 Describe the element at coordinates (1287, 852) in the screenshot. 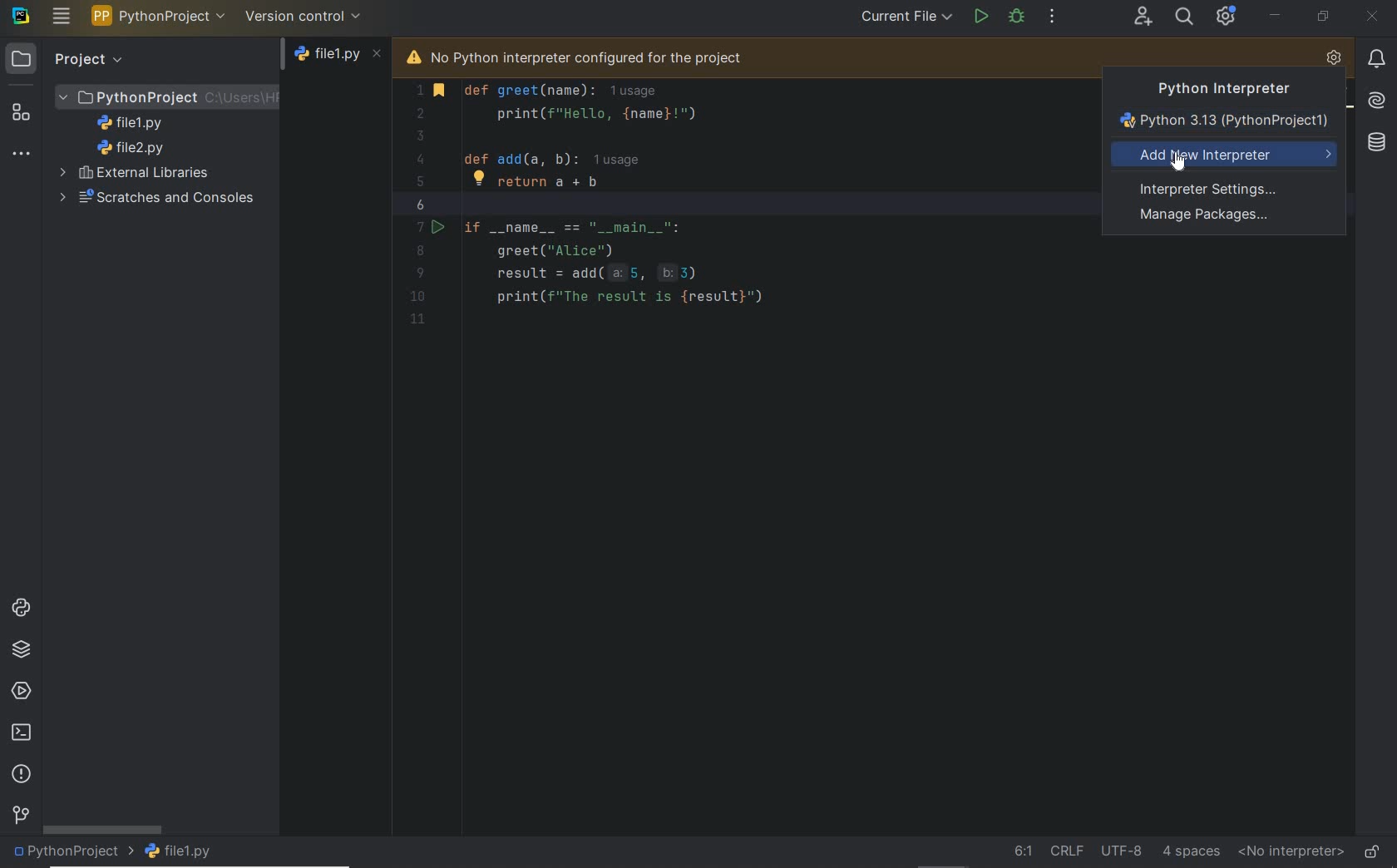

I see `No interpreter` at that location.